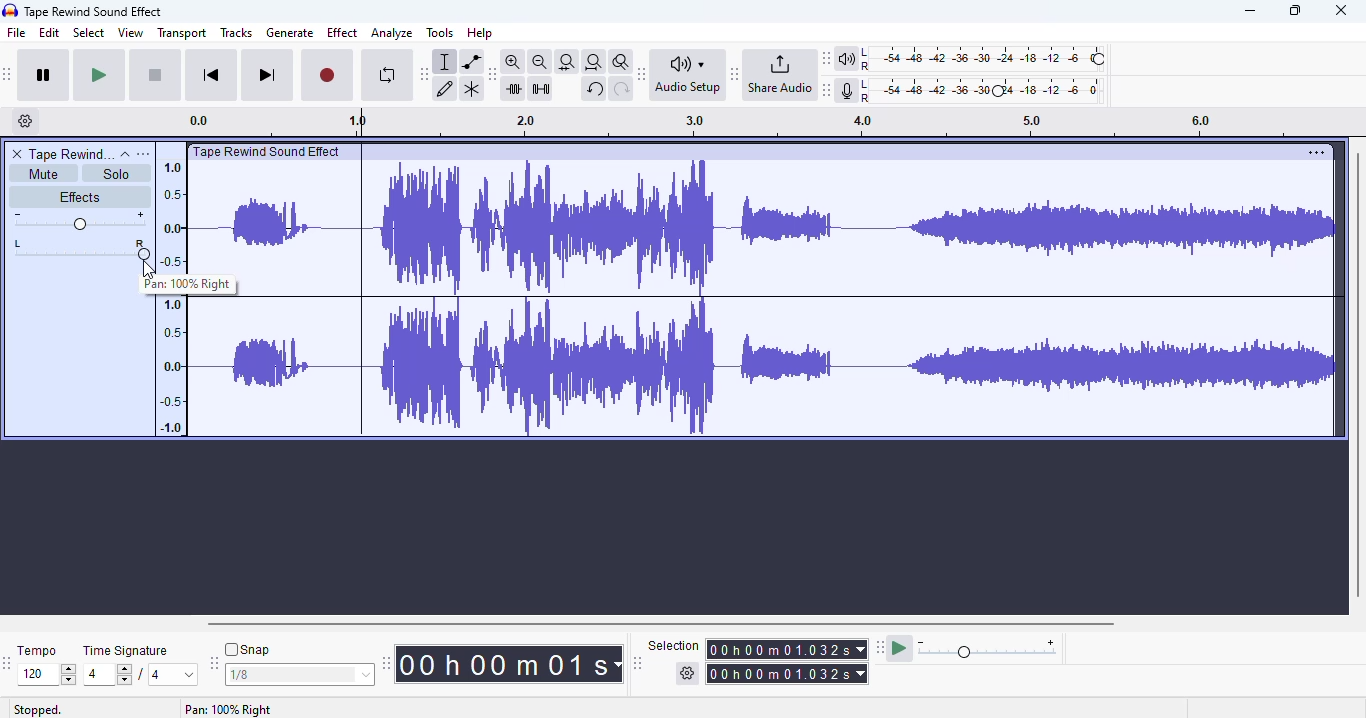  What do you see at coordinates (472, 62) in the screenshot?
I see `envelope tool` at bounding box center [472, 62].